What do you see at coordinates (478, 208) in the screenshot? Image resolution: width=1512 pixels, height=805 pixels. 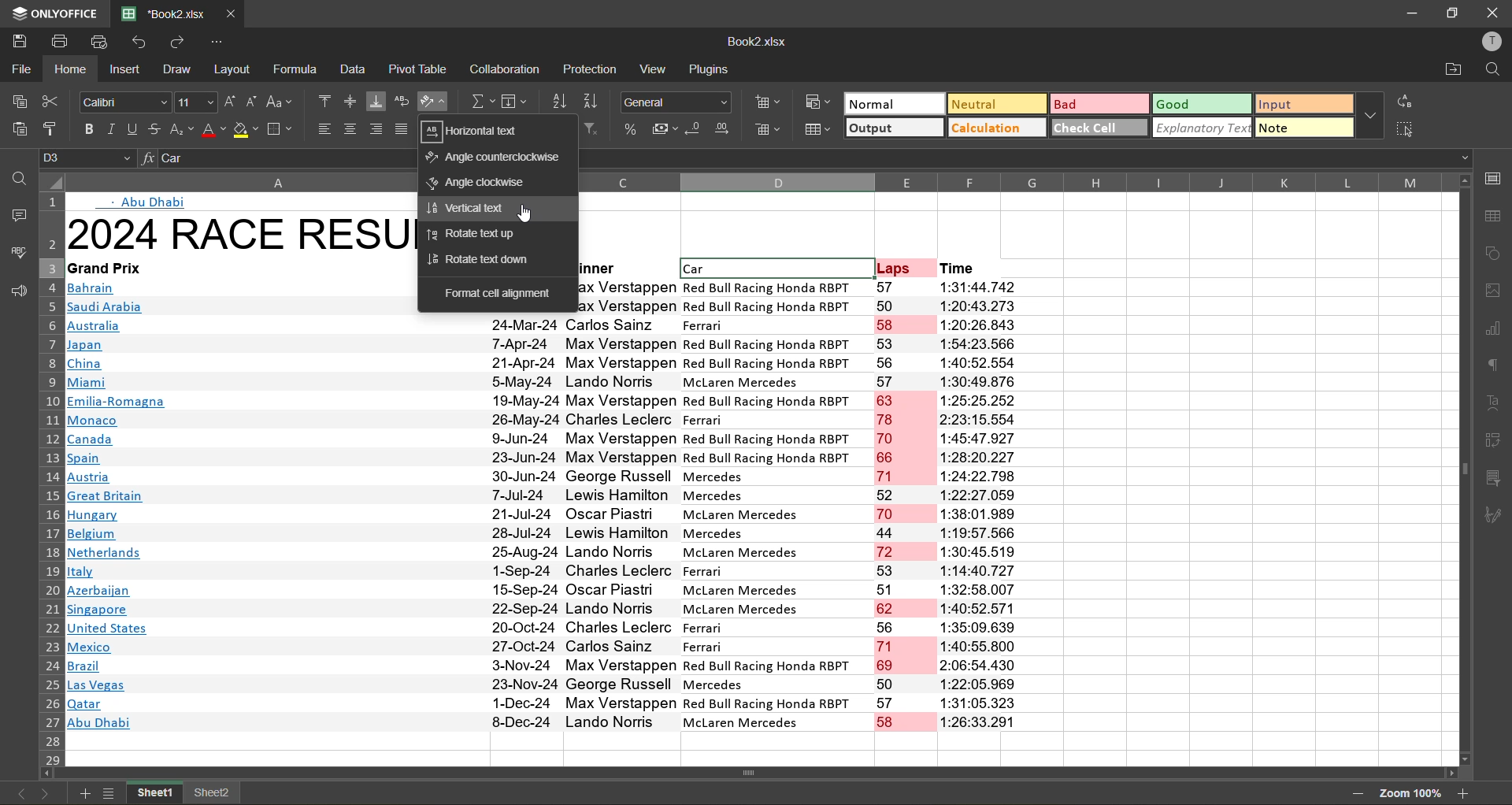 I see `vertical text` at bounding box center [478, 208].